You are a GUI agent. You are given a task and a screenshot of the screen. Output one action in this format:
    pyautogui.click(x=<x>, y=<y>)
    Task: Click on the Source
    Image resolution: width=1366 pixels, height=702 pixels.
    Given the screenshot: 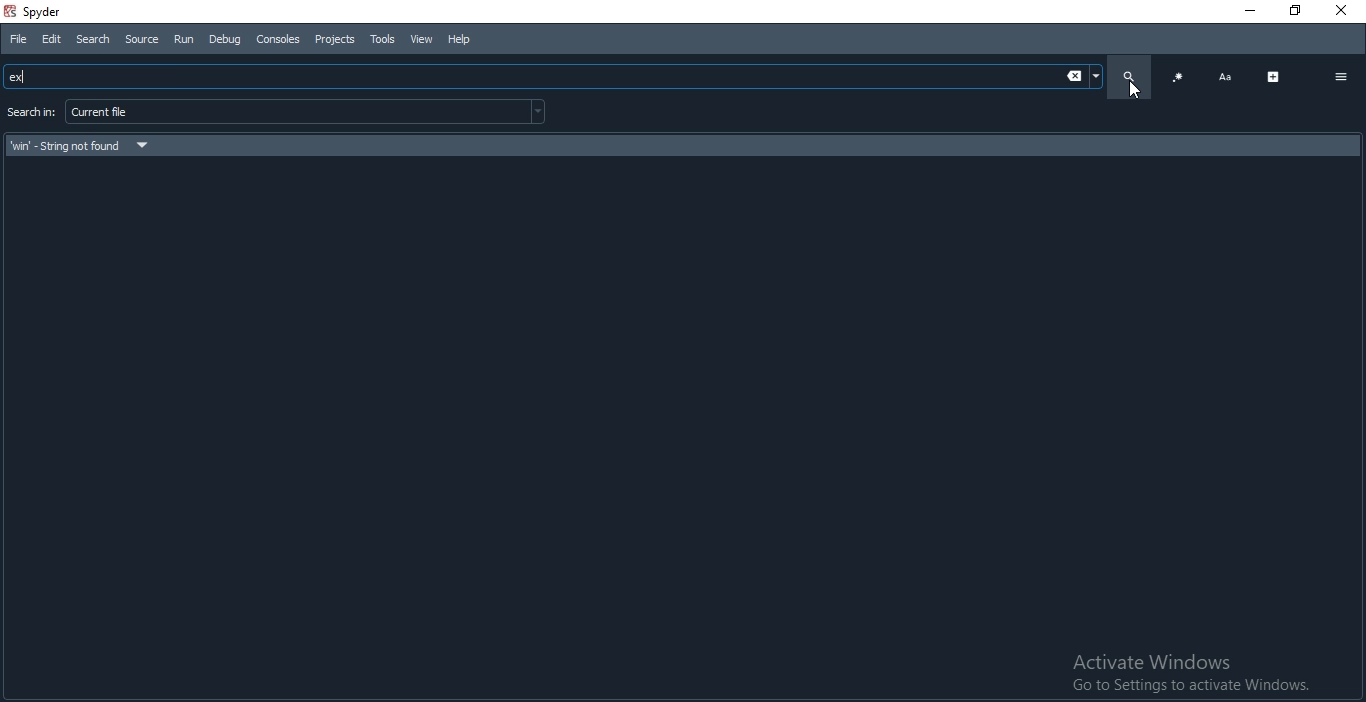 What is the action you would take?
    pyautogui.click(x=142, y=39)
    